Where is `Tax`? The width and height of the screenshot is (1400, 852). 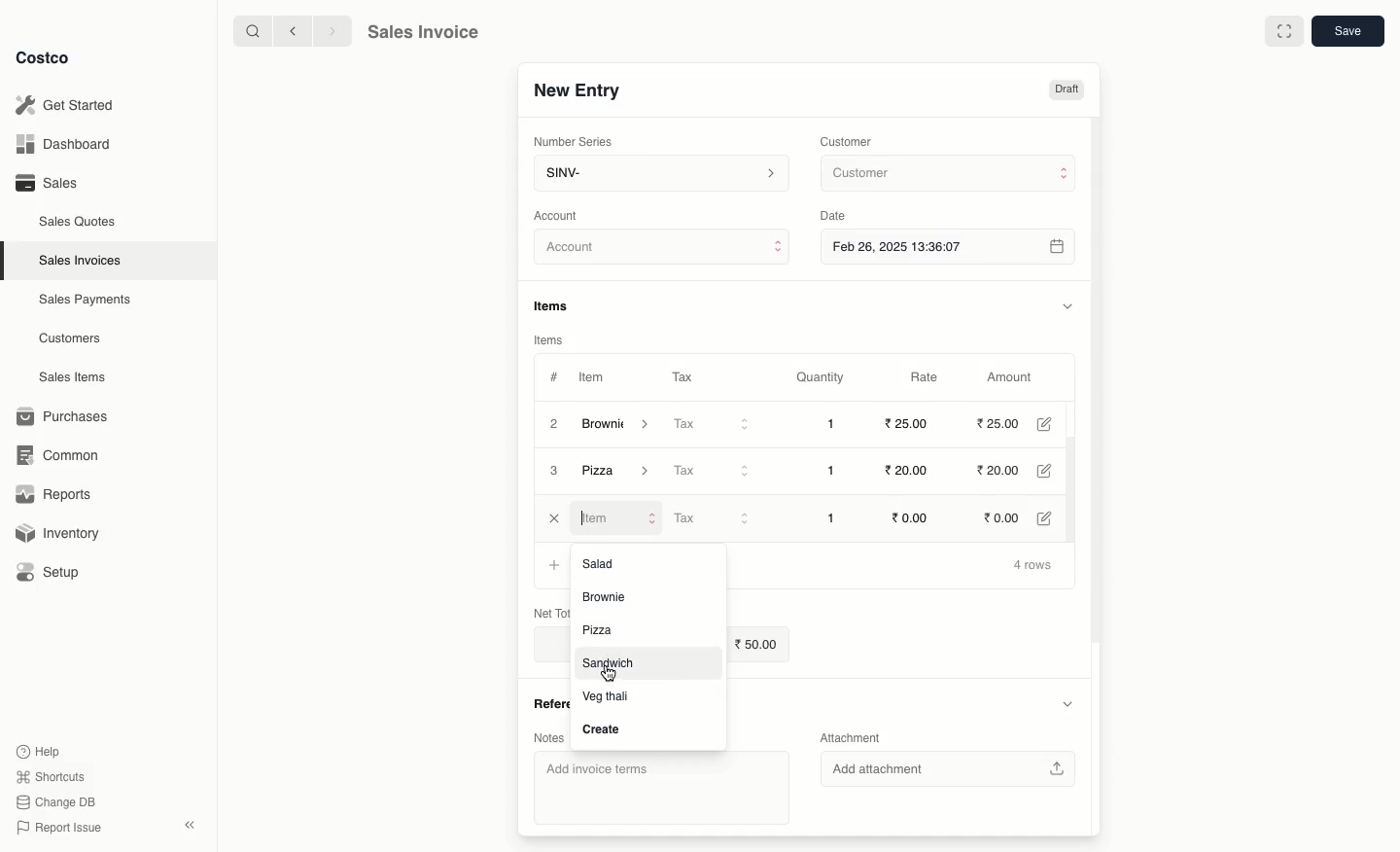 Tax is located at coordinates (713, 470).